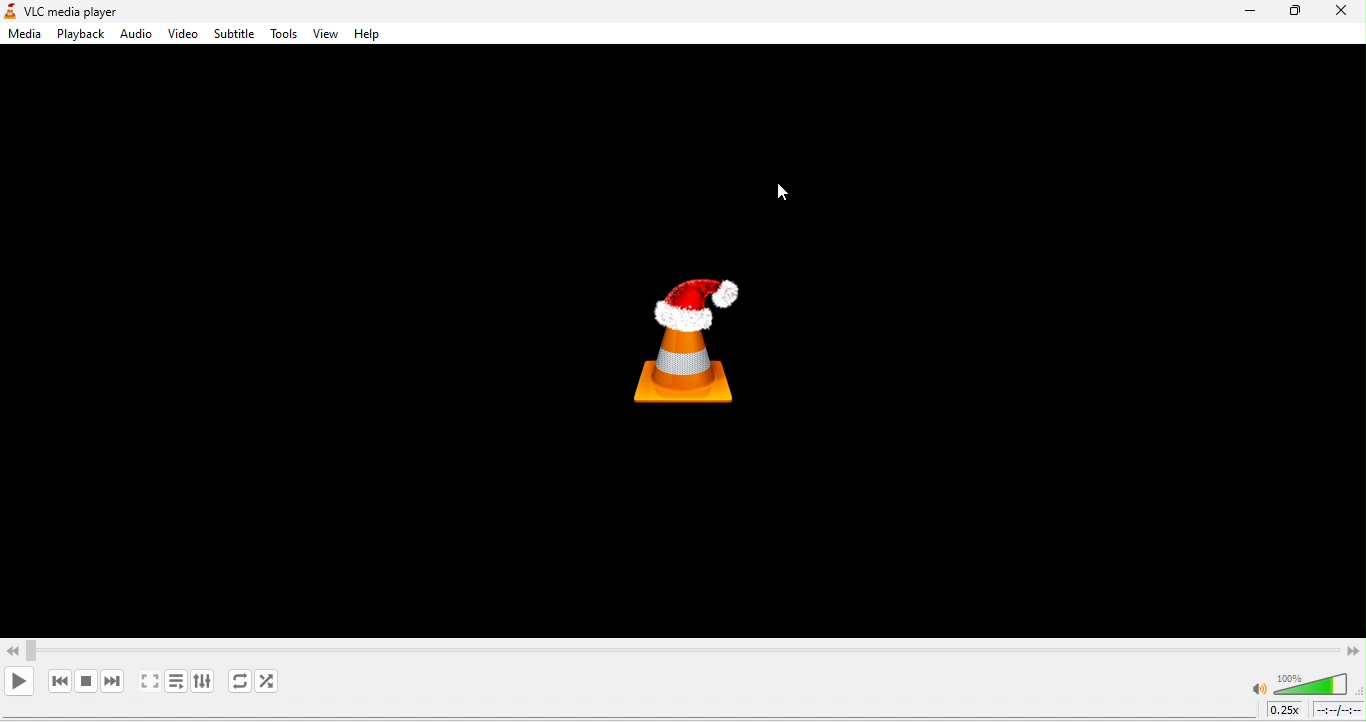 Image resolution: width=1366 pixels, height=722 pixels. What do you see at coordinates (135, 36) in the screenshot?
I see `audio` at bounding box center [135, 36].